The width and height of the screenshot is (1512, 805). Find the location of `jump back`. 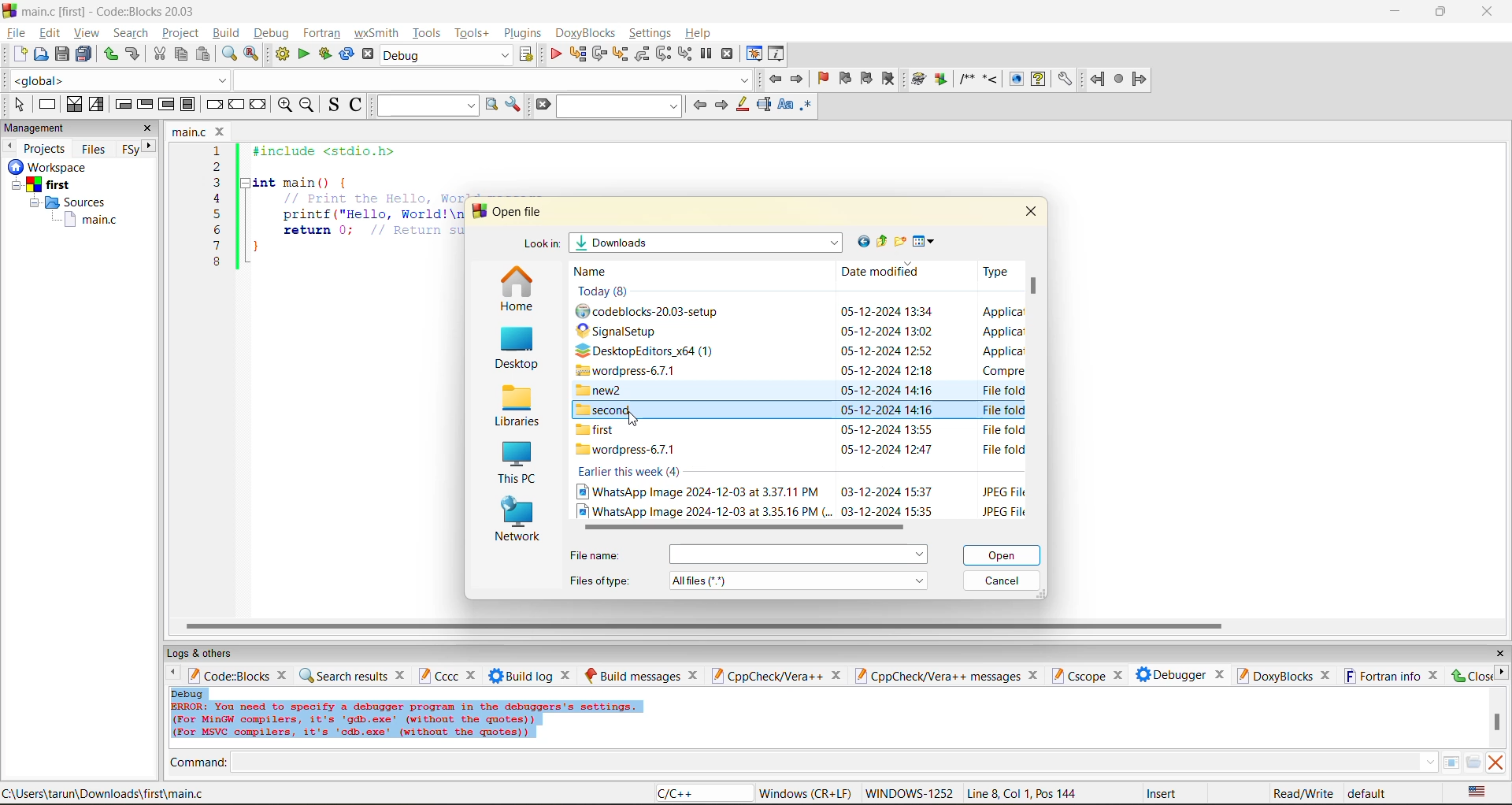

jump back is located at coordinates (773, 79).